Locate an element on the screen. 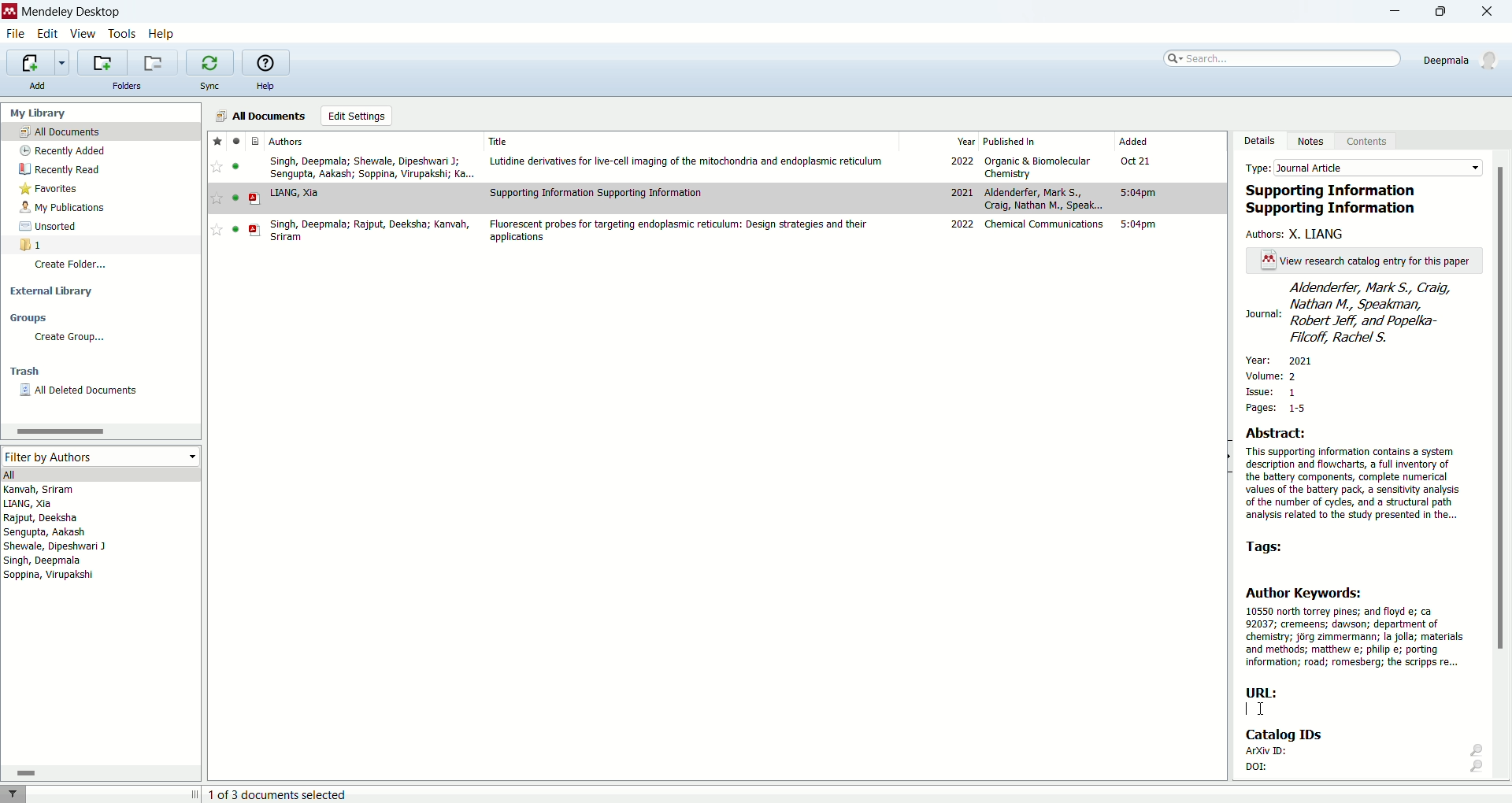 Image resolution: width=1512 pixels, height=803 pixels. edit is located at coordinates (46, 32).